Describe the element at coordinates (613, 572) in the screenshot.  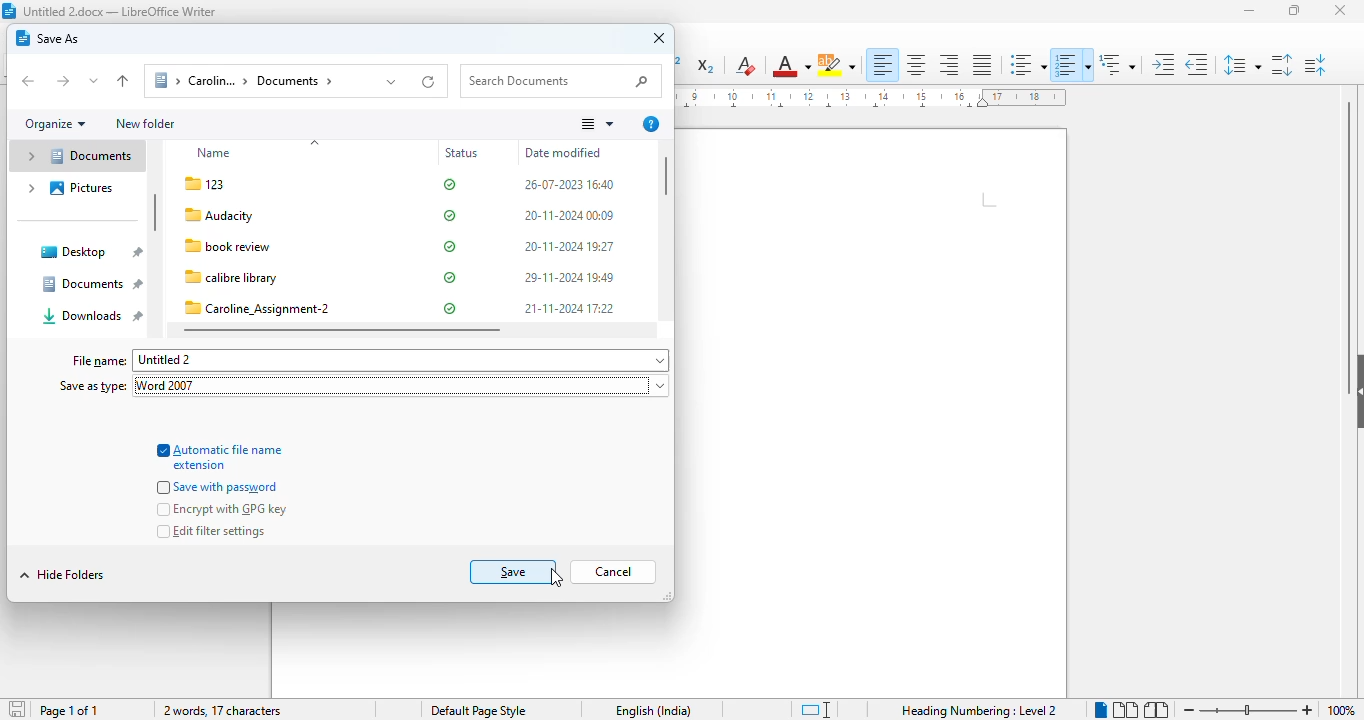
I see `cancel` at that location.